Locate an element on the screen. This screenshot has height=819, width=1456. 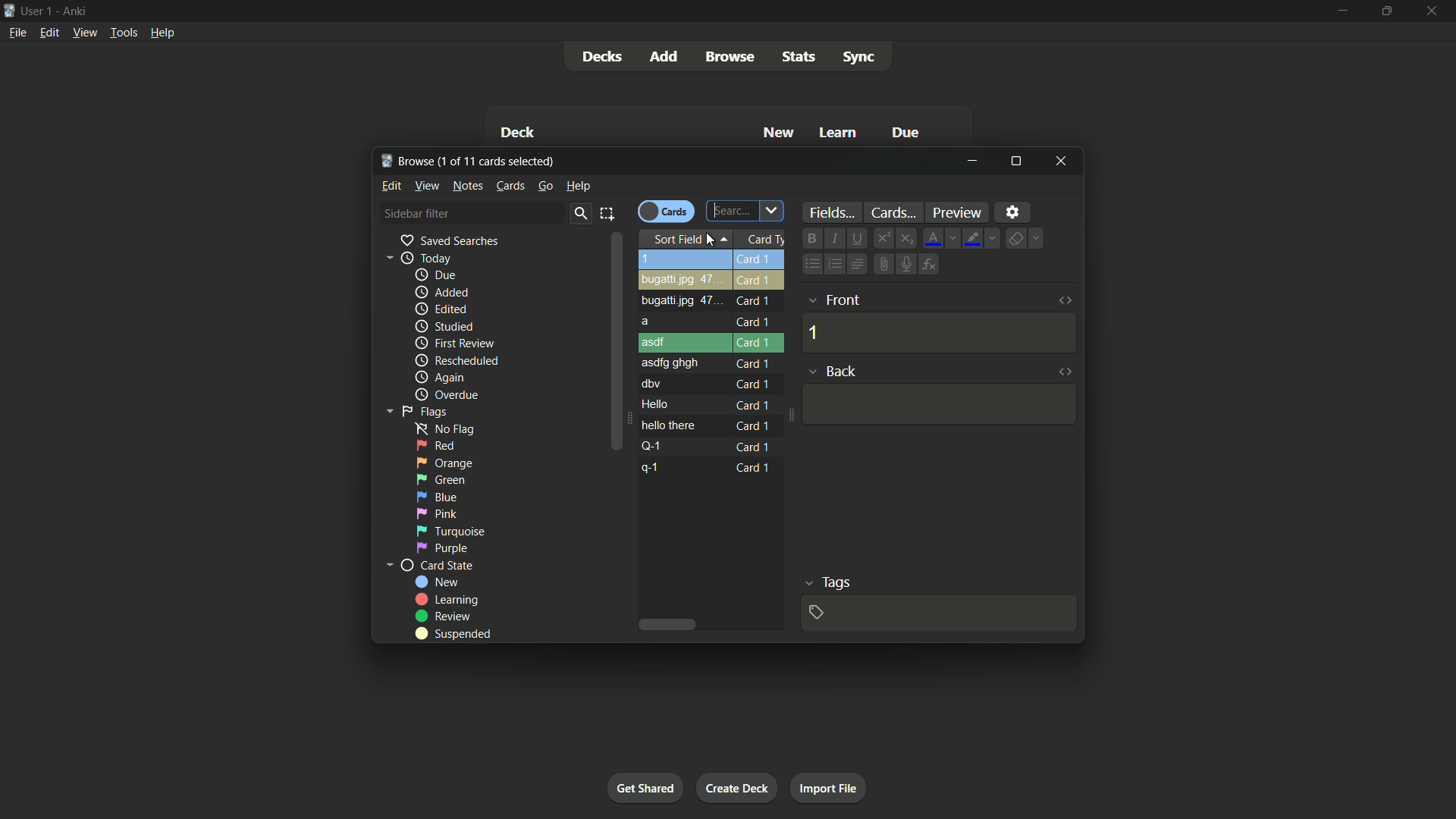
edit menu is located at coordinates (49, 32).